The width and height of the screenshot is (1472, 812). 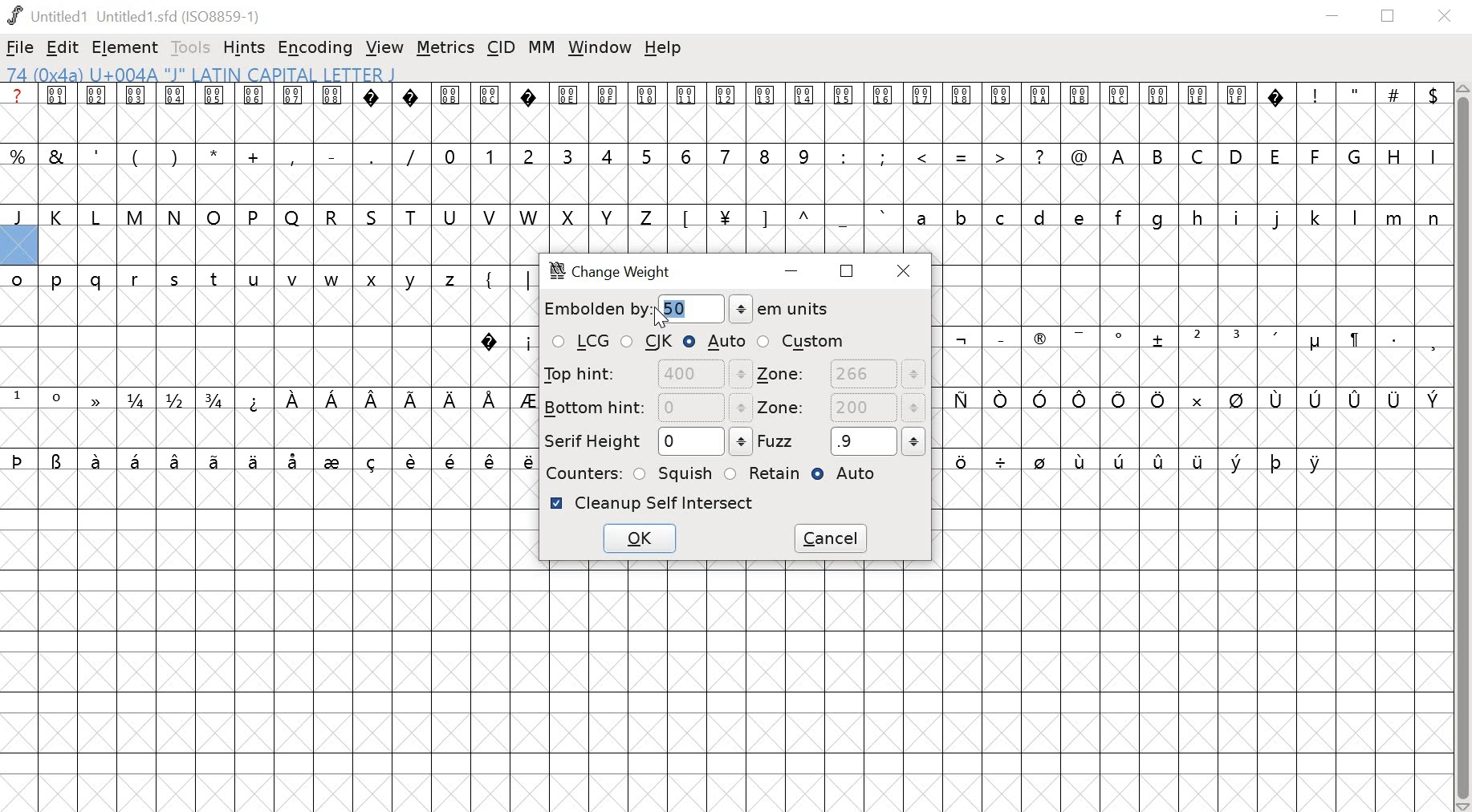 What do you see at coordinates (780, 309) in the screenshot?
I see `em units` at bounding box center [780, 309].